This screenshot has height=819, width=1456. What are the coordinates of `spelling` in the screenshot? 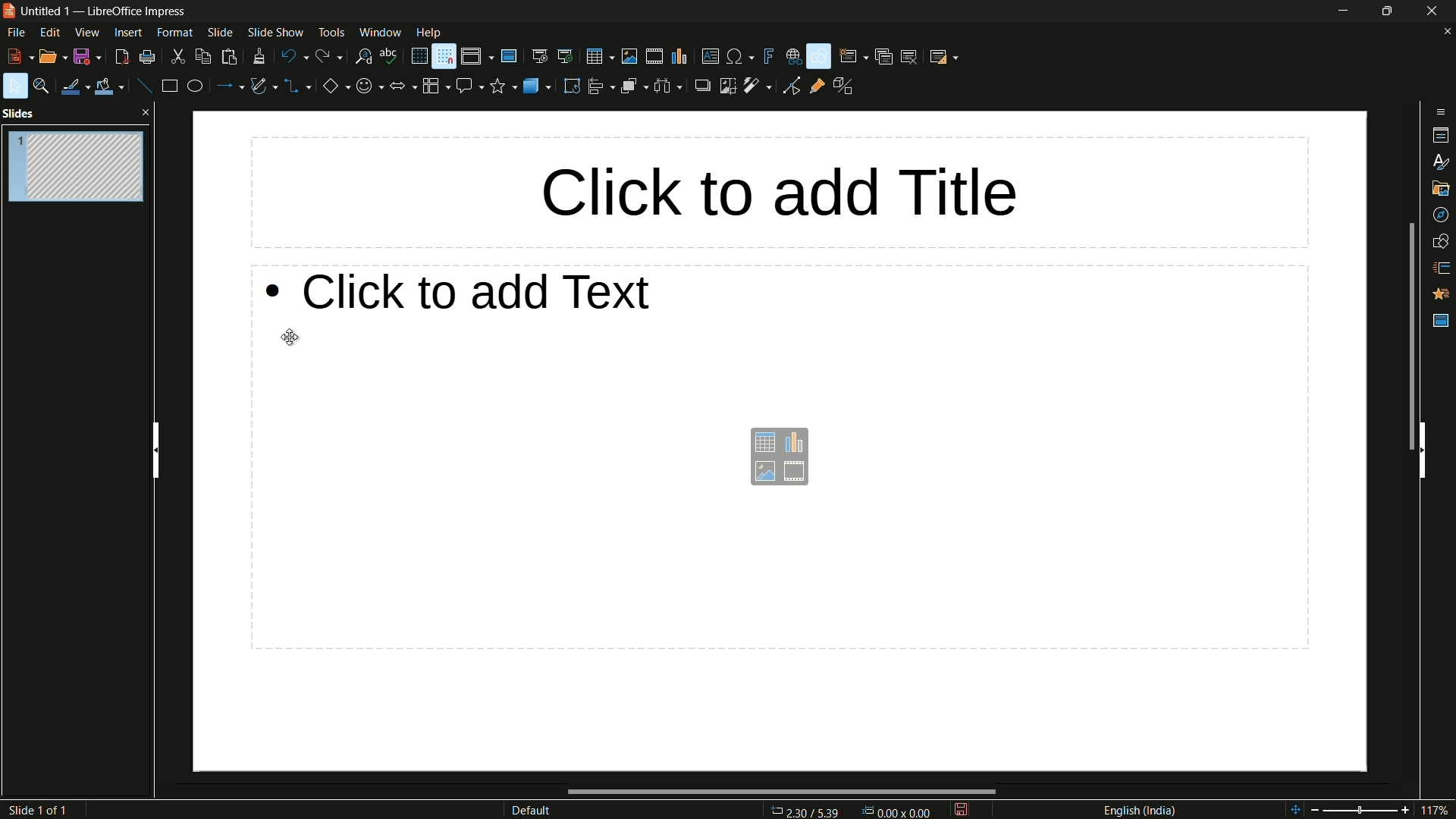 It's located at (390, 57).